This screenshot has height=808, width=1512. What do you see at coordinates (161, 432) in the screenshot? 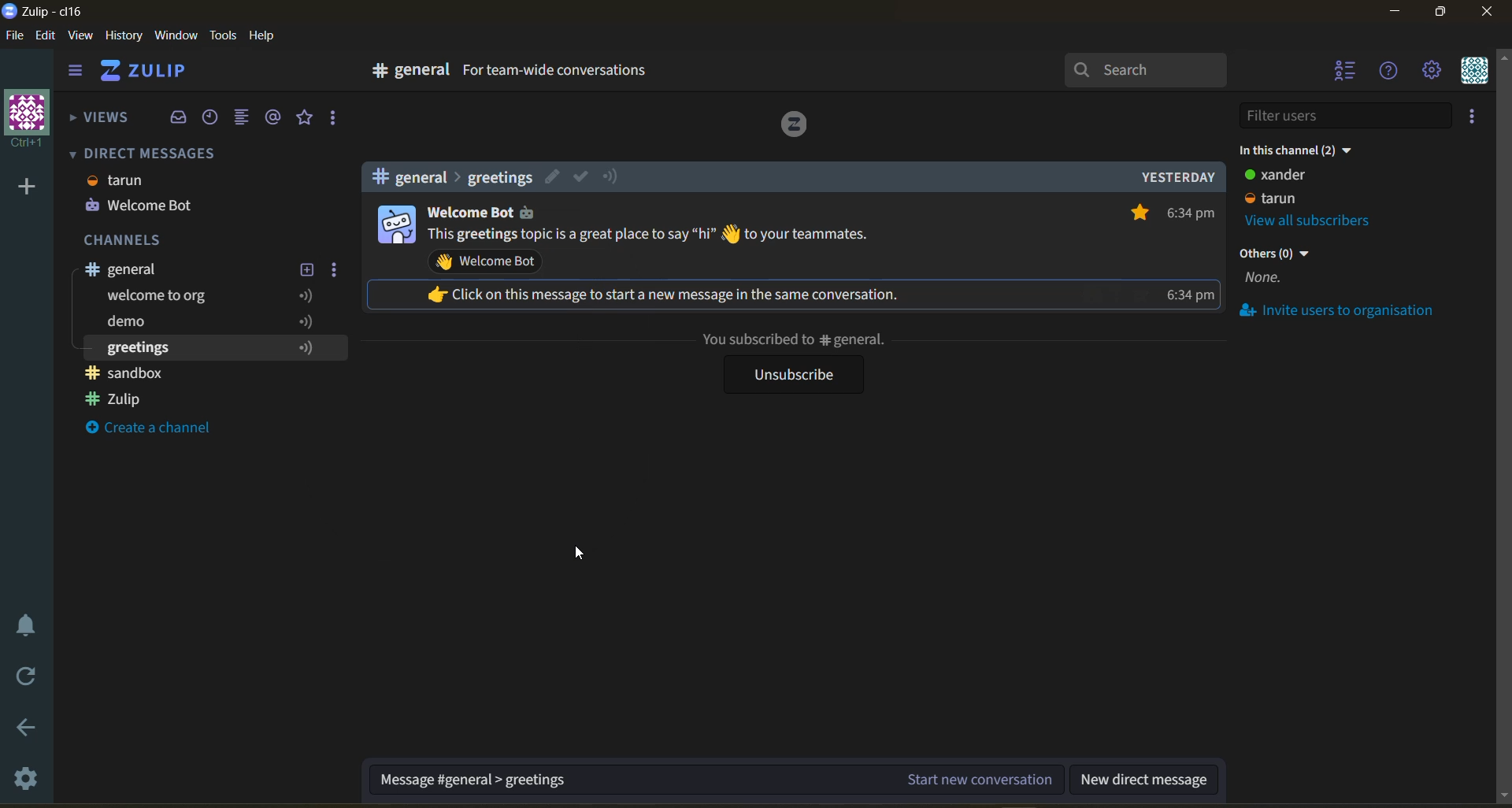
I see `create a channel` at bounding box center [161, 432].